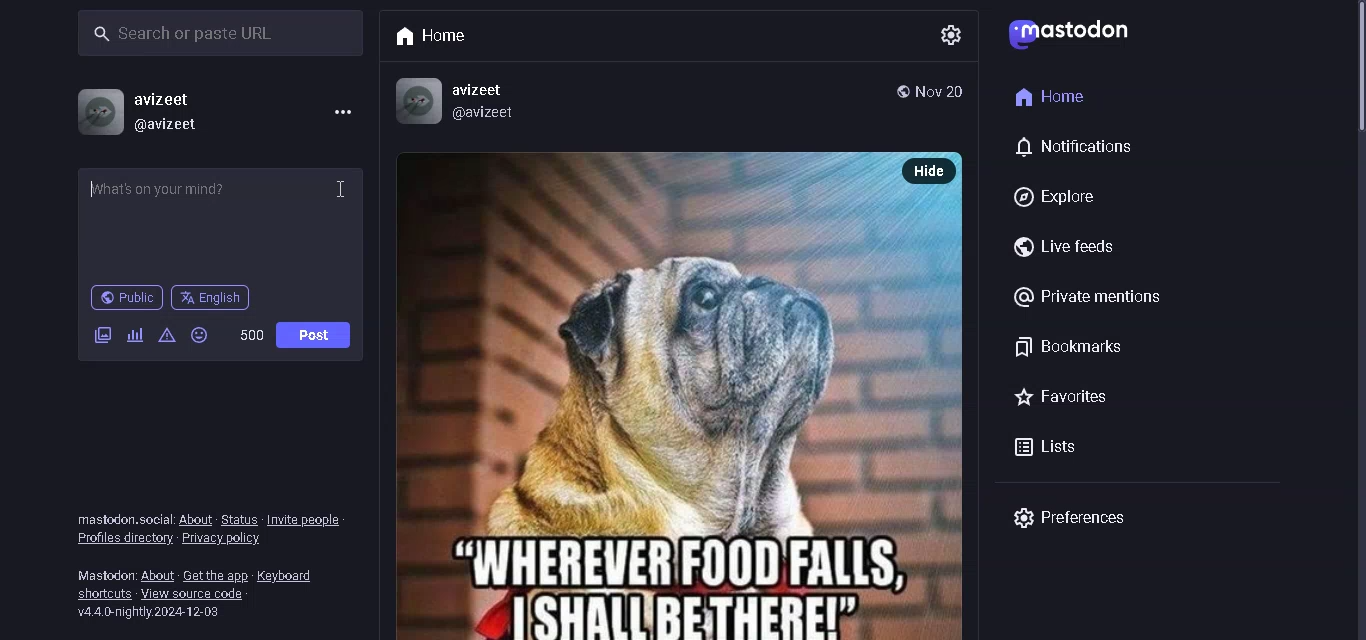 The width and height of the screenshot is (1366, 640). Describe the element at coordinates (195, 519) in the screenshot. I see `about` at that location.